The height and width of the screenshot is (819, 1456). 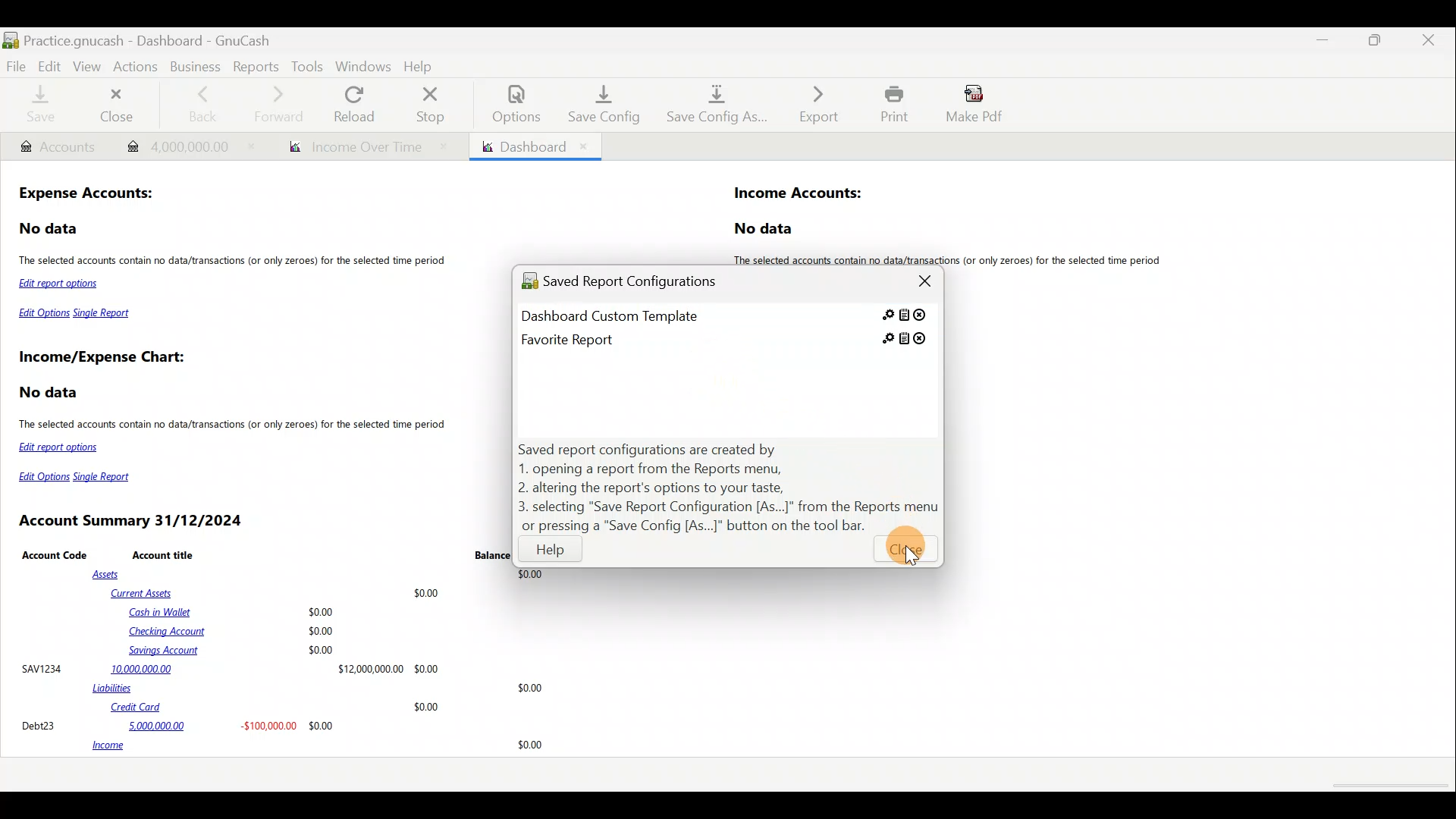 I want to click on Saved report configurations, so click(x=635, y=284).